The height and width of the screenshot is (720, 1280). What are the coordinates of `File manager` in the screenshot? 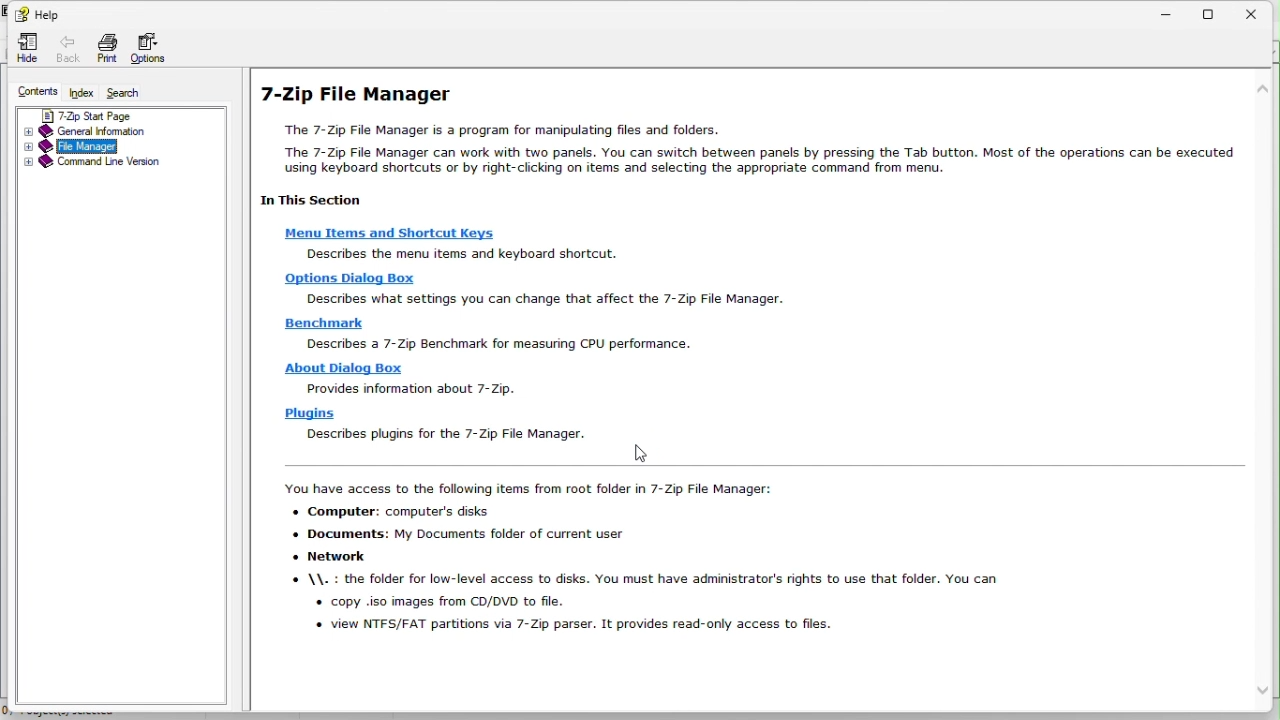 It's located at (114, 145).